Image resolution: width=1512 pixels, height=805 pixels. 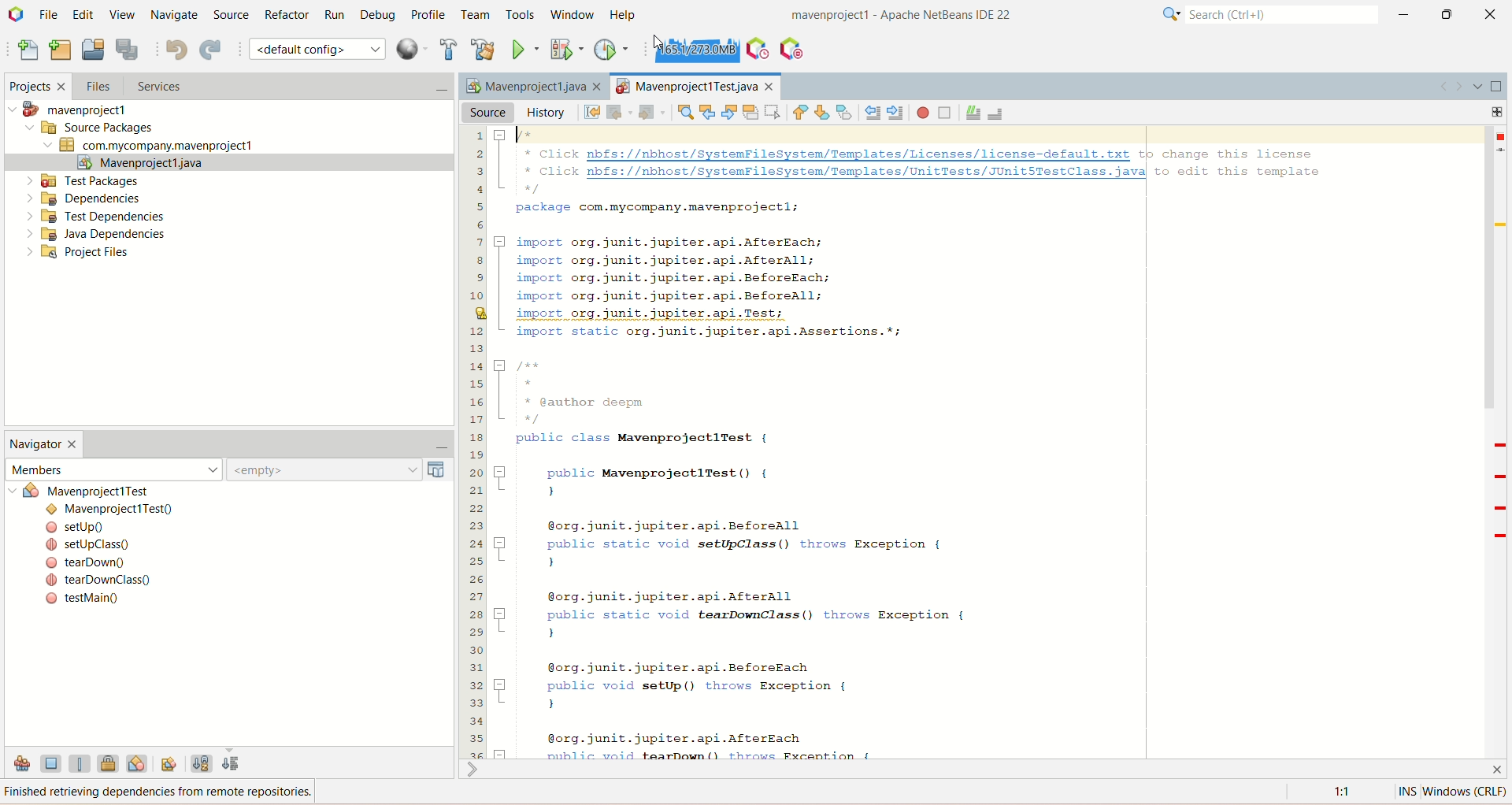 I want to click on logo, so click(x=17, y=16).